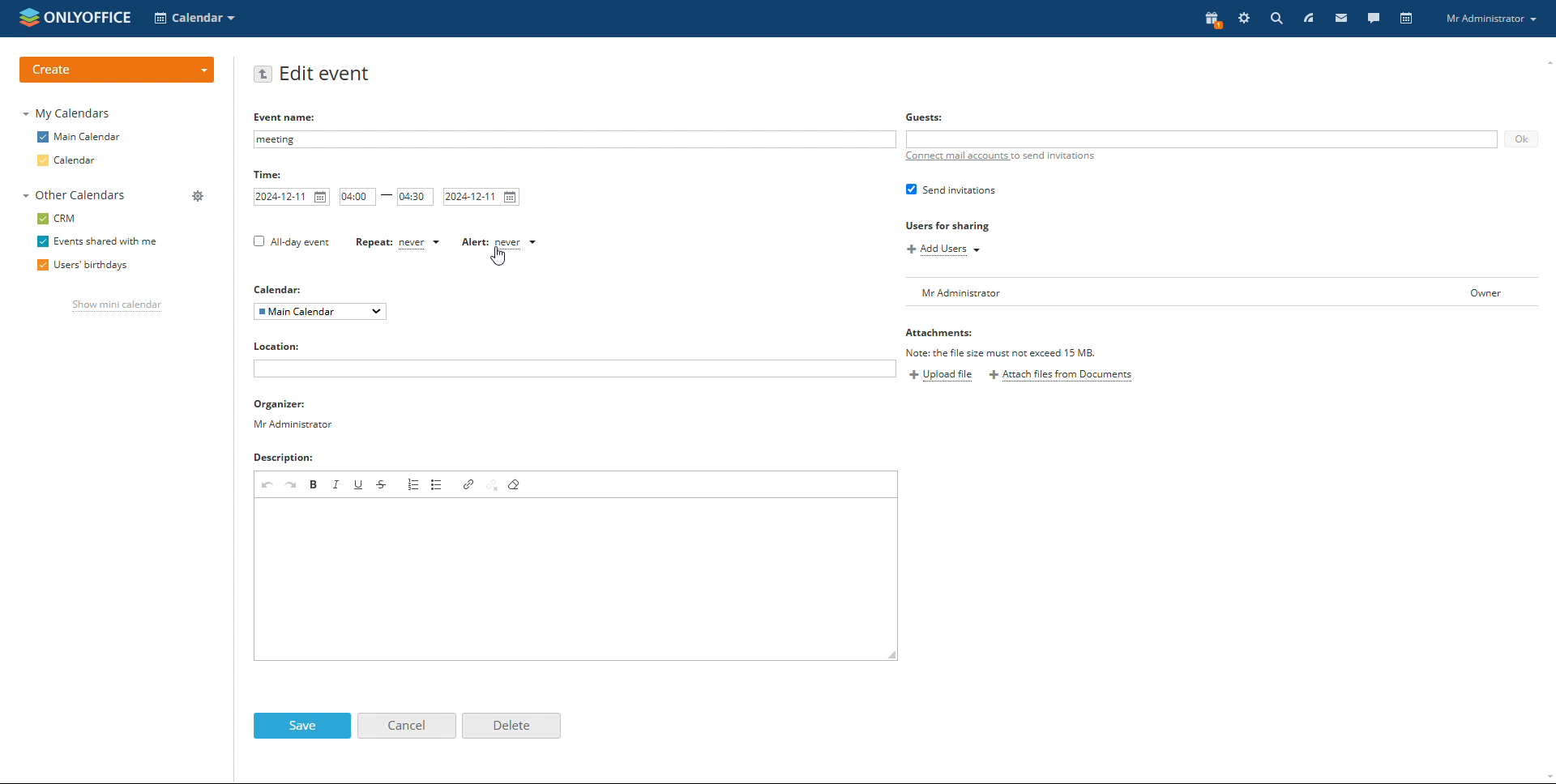  Describe the element at coordinates (948, 225) in the screenshot. I see `Users for sharing` at that location.